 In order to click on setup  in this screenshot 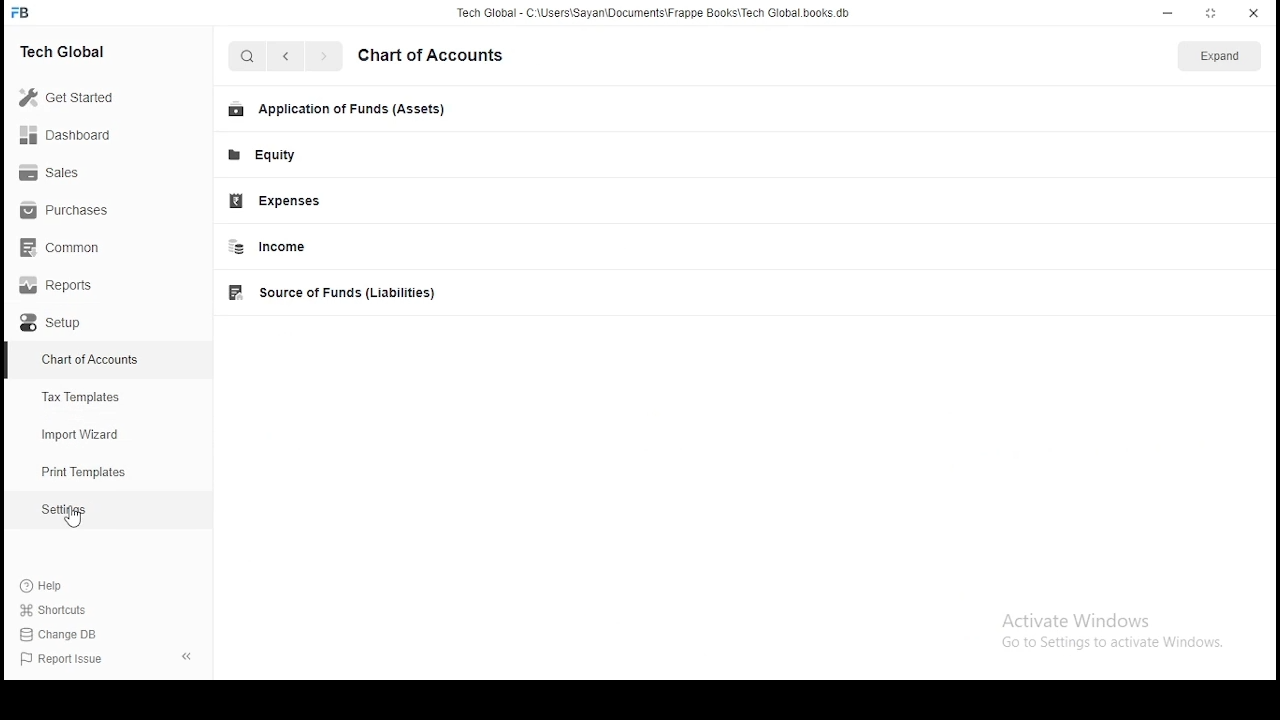, I will do `click(83, 327)`.